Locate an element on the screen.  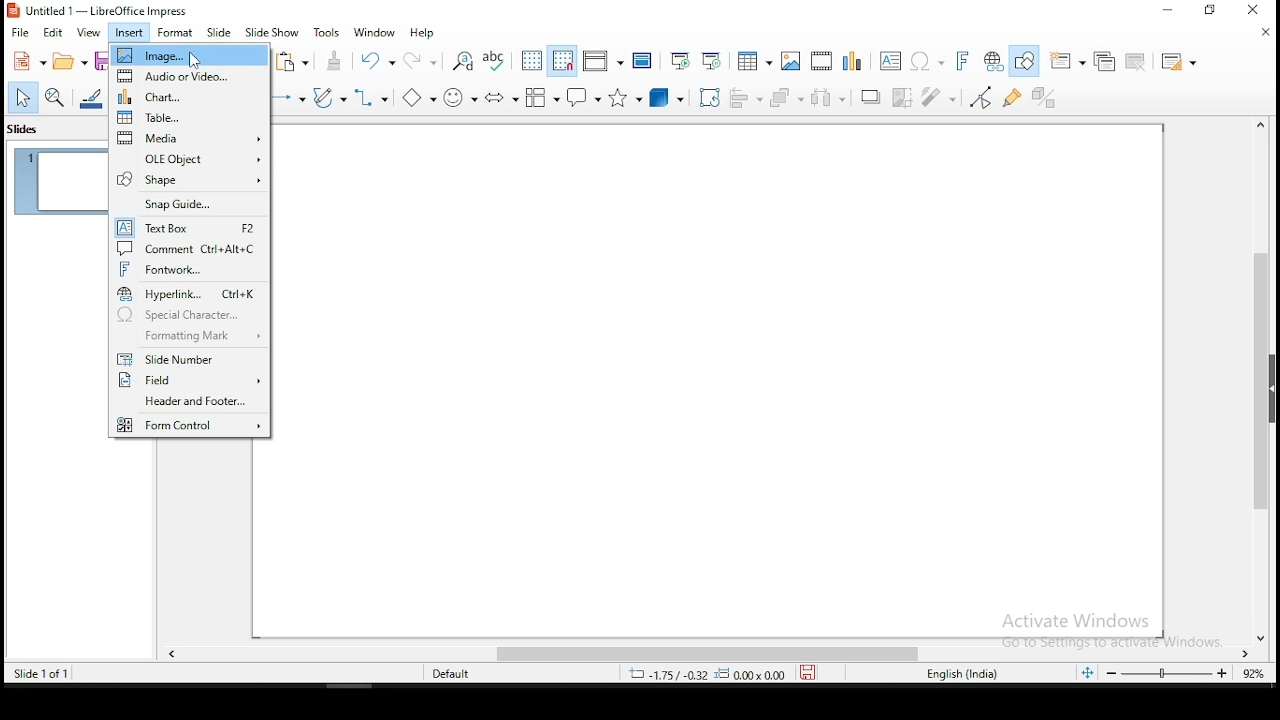
slide show is located at coordinates (219, 33).